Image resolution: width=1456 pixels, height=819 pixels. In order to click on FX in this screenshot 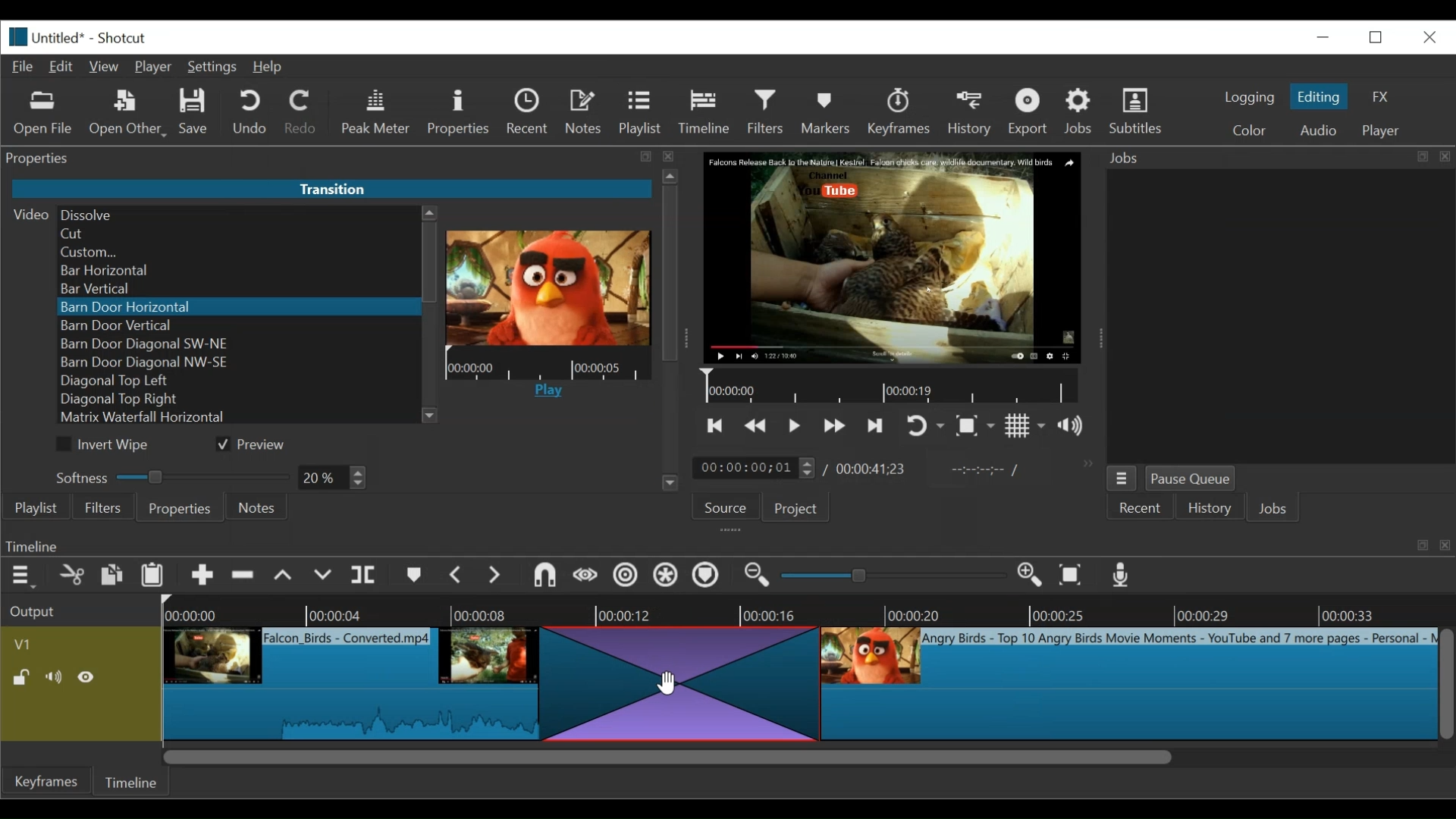, I will do `click(1378, 96)`.